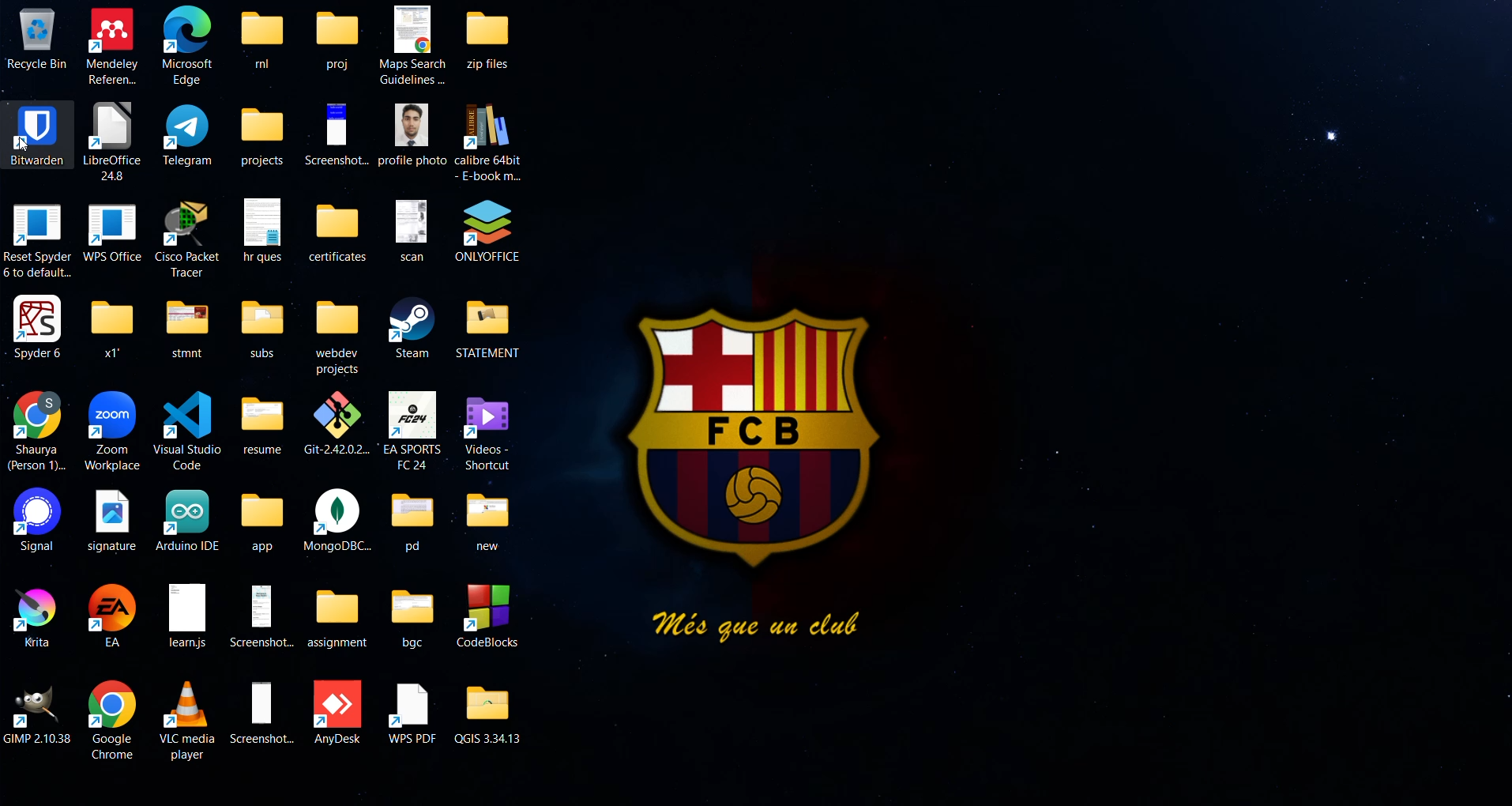 This screenshot has height=806, width=1512. I want to click on FCB
és gue an club, so click(751, 473).